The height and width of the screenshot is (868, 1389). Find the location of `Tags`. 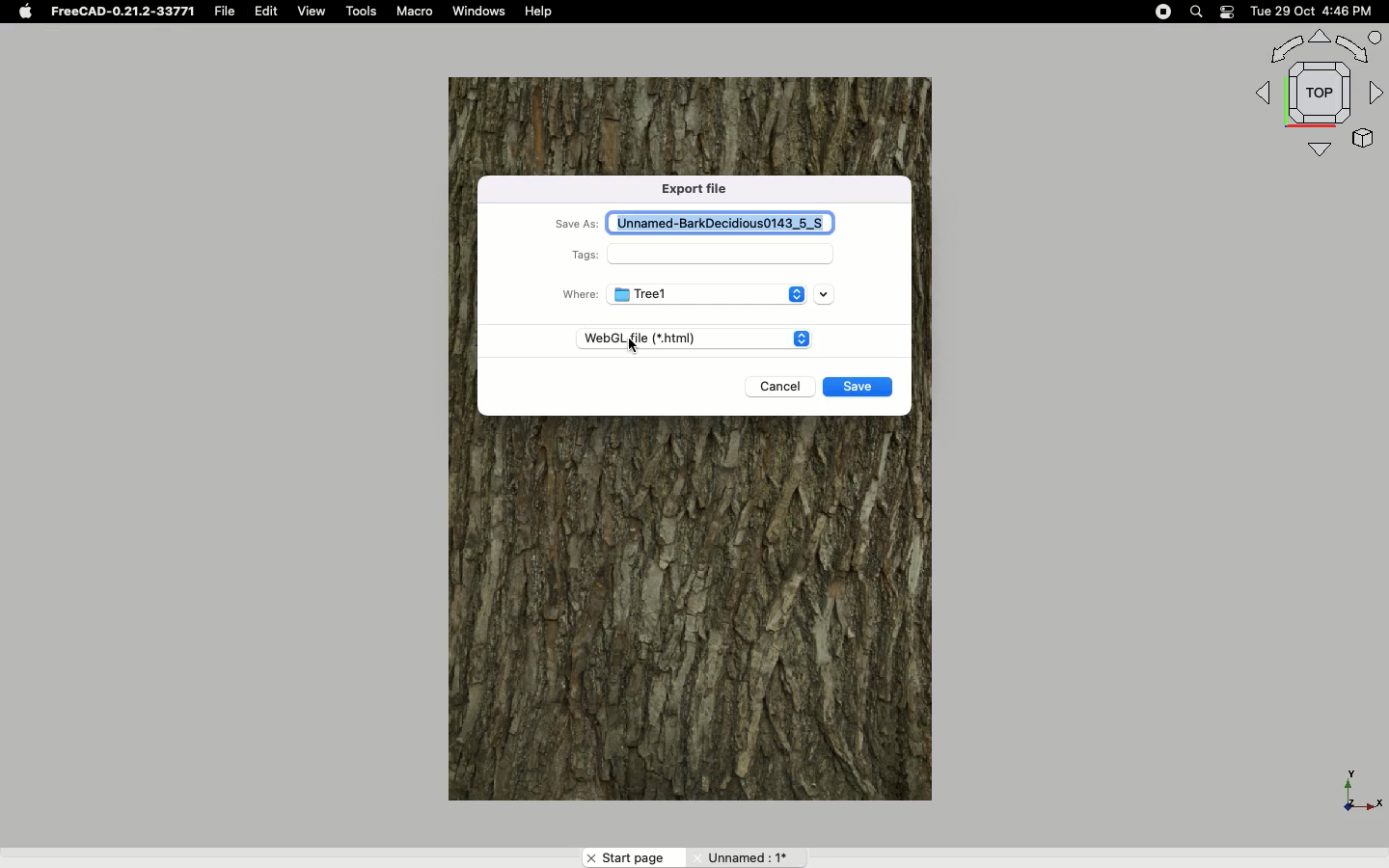

Tags is located at coordinates (586, 255).